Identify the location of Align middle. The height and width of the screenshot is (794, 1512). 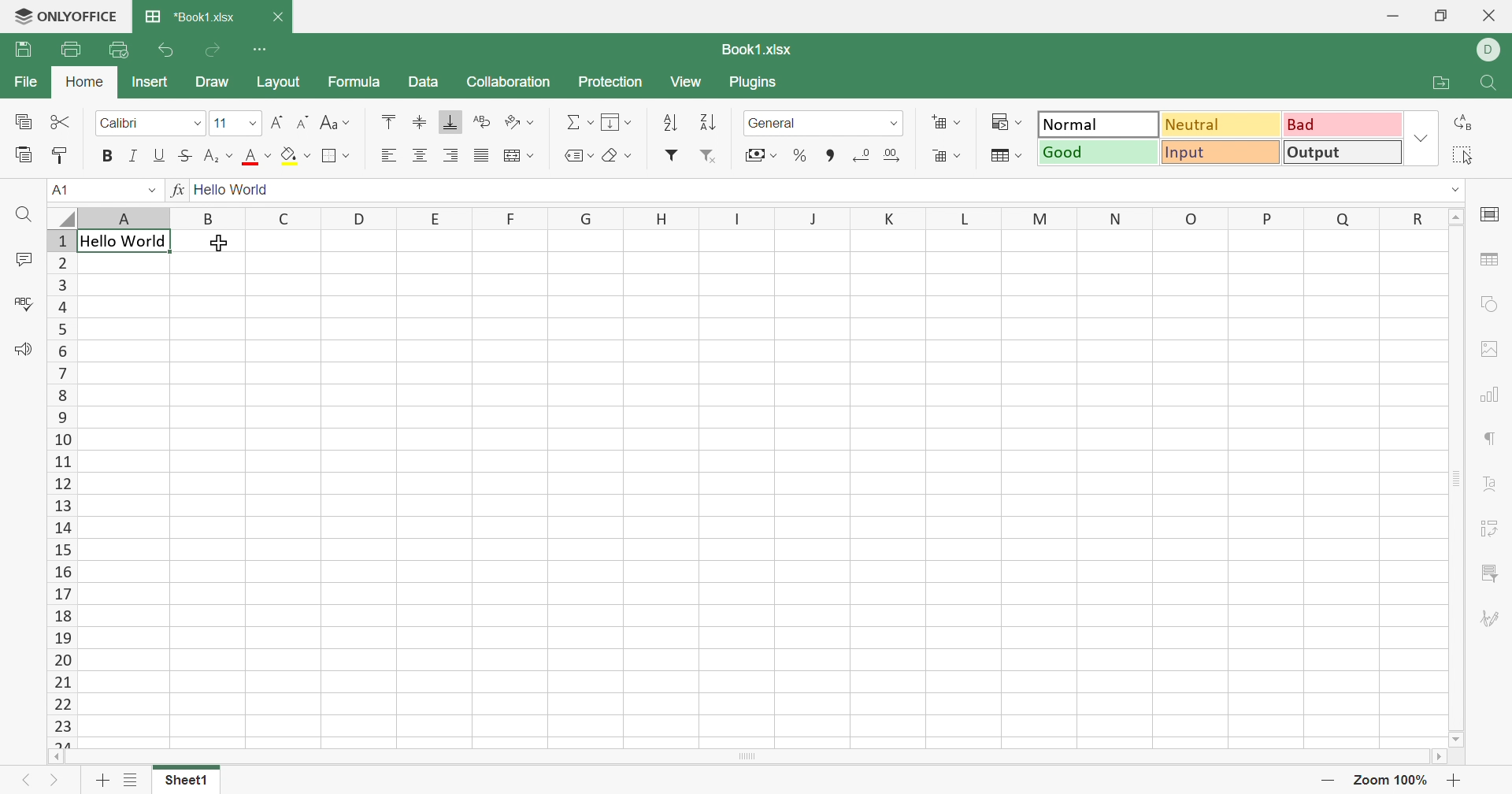
(420, 122).